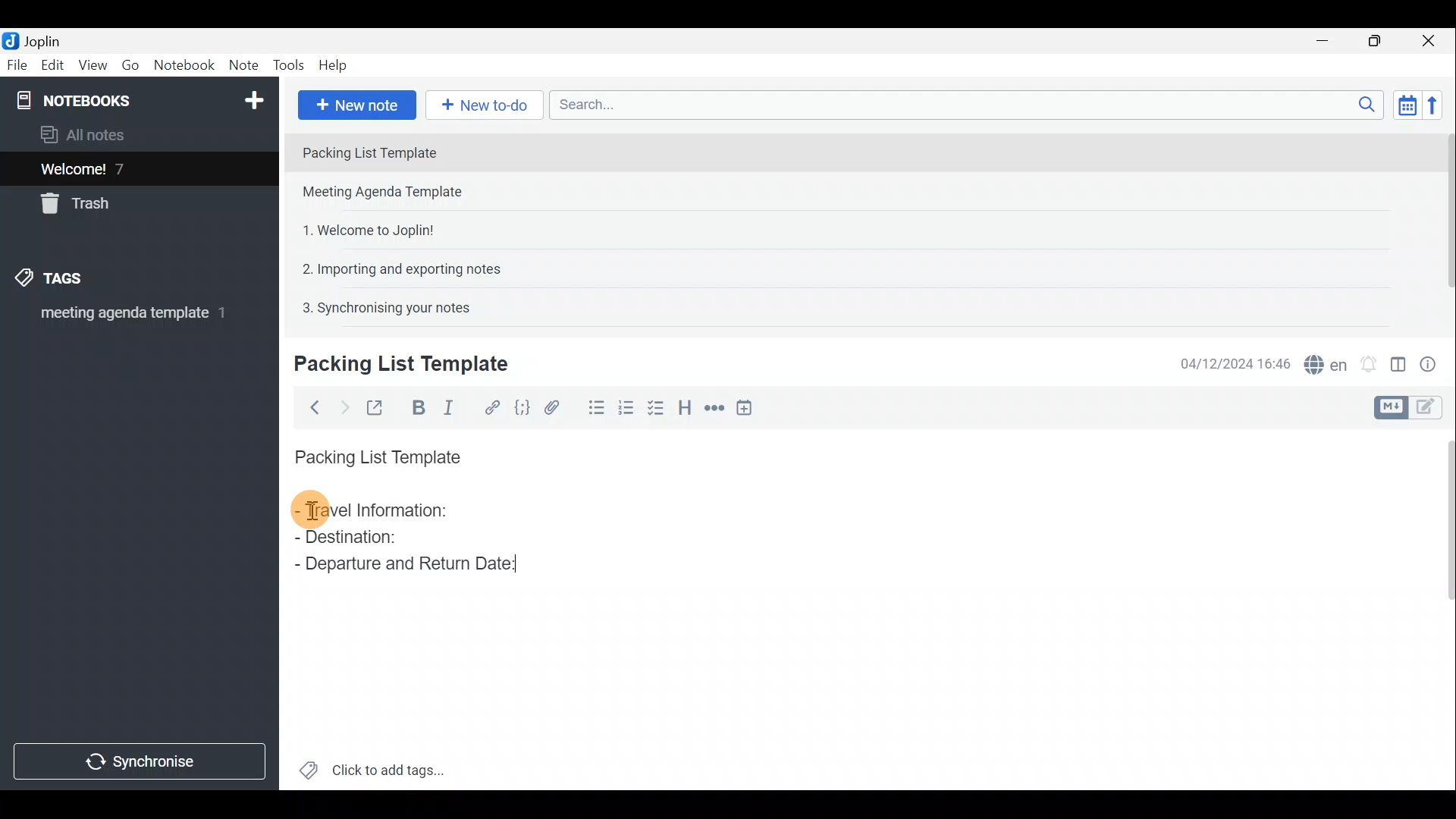 The height and width of the screenshot is (819, 1456). Describe the element at coordinates (94, 65) in the screenshot. I see `View` at that location.